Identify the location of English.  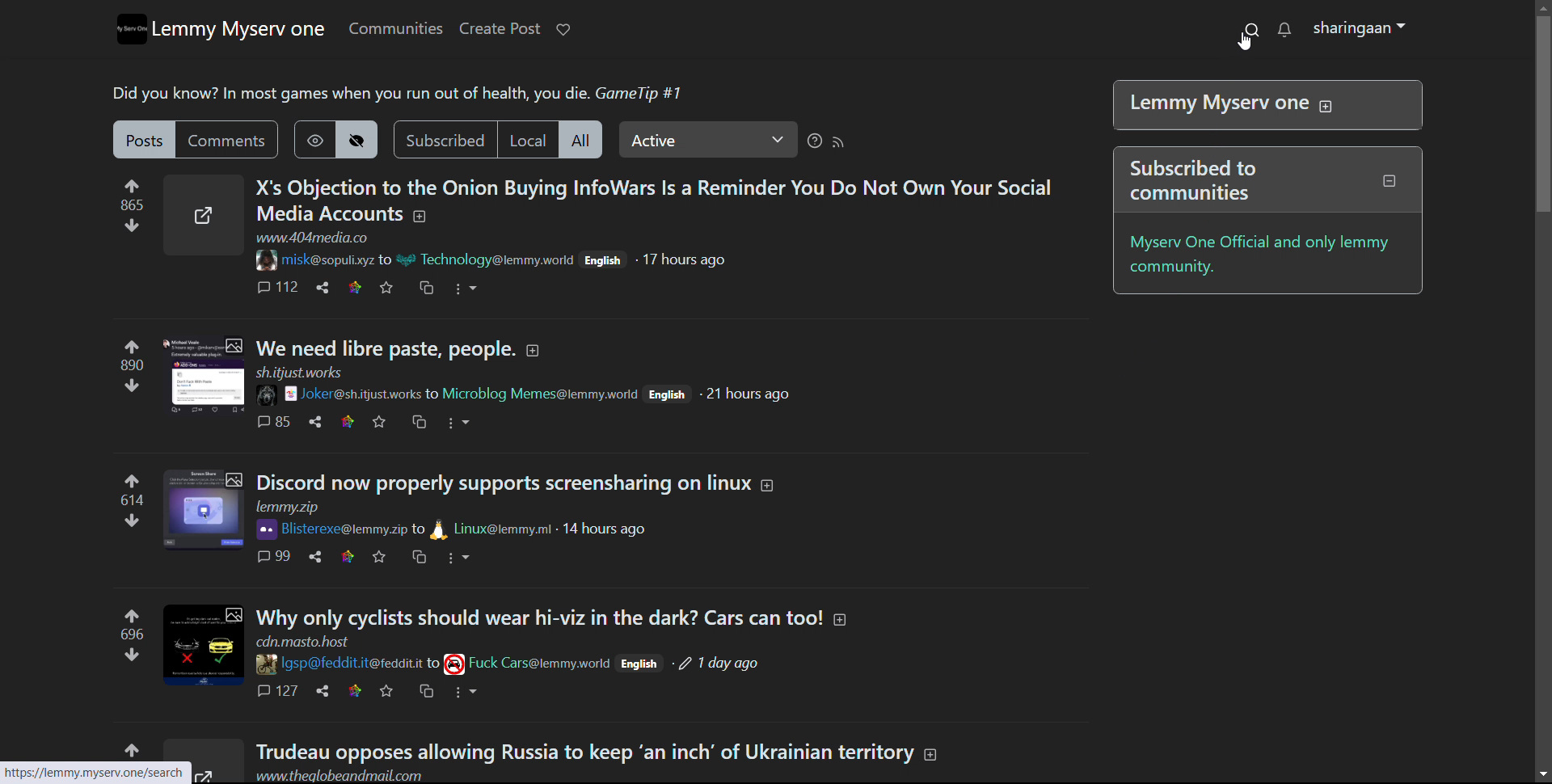
(601, 259).